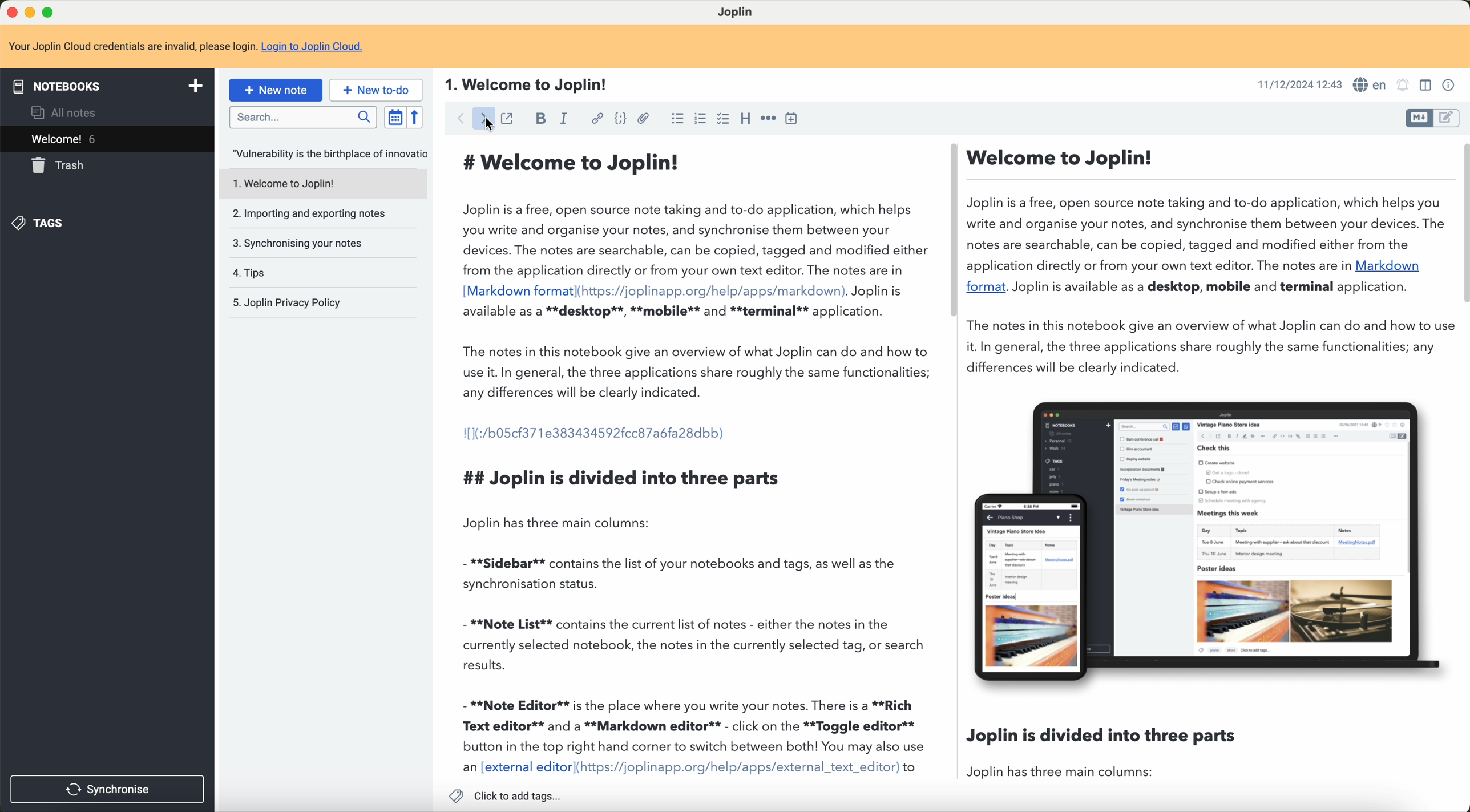  What do you see at coordinates (694, 767) in the screenshot?
I see `780 HT UTS WV 1197 TTT LUTTE] WW 9TFILLIT WRLITe WIT MVR Ts TVR 1TTE) «io
xternal editor|(https://joplinapp.org/help/apps/external_text_editor)` at bounding box center [694, 767].